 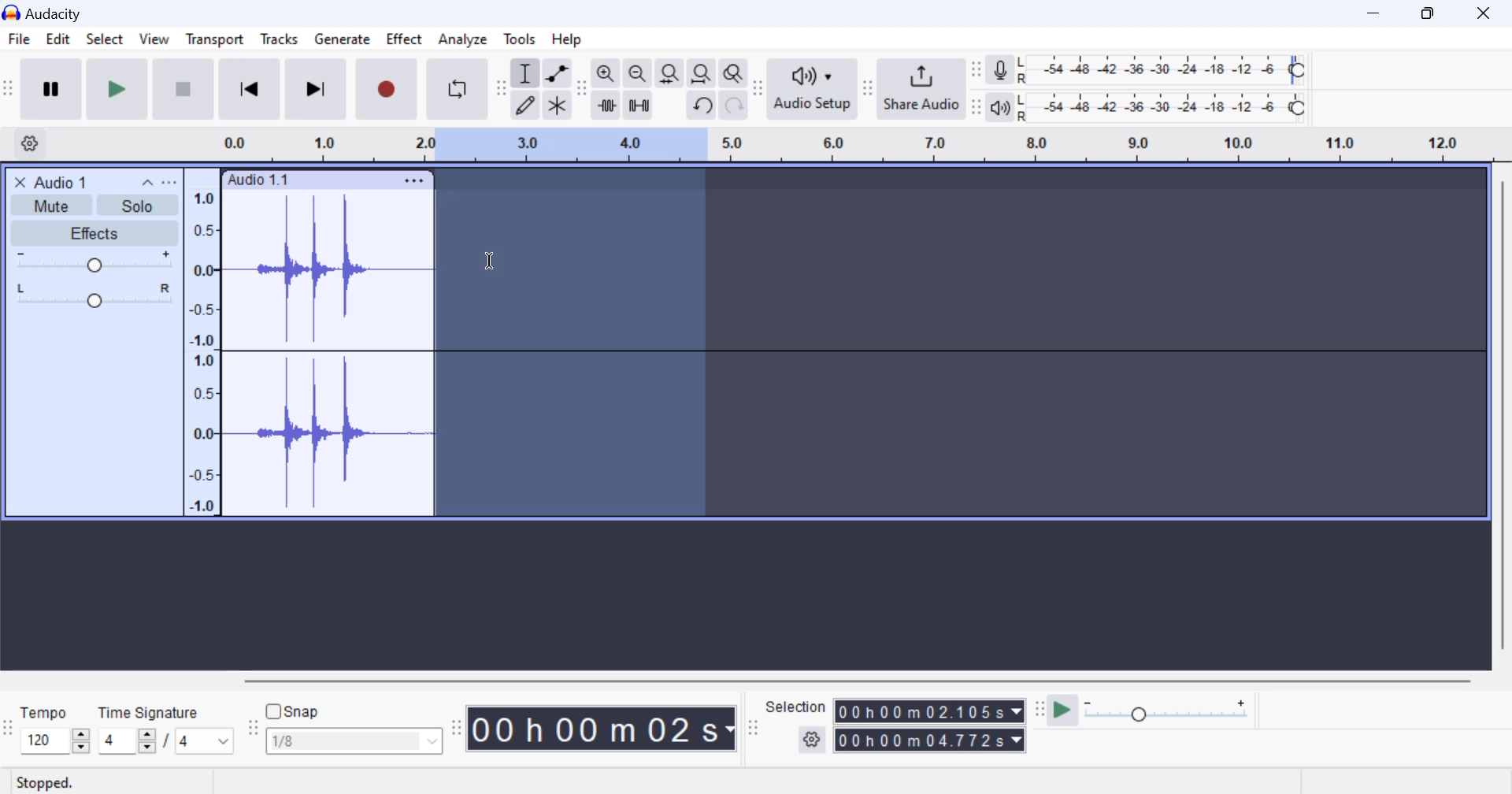 I want to click on Playback Speed, so click(x=1176, y=712).